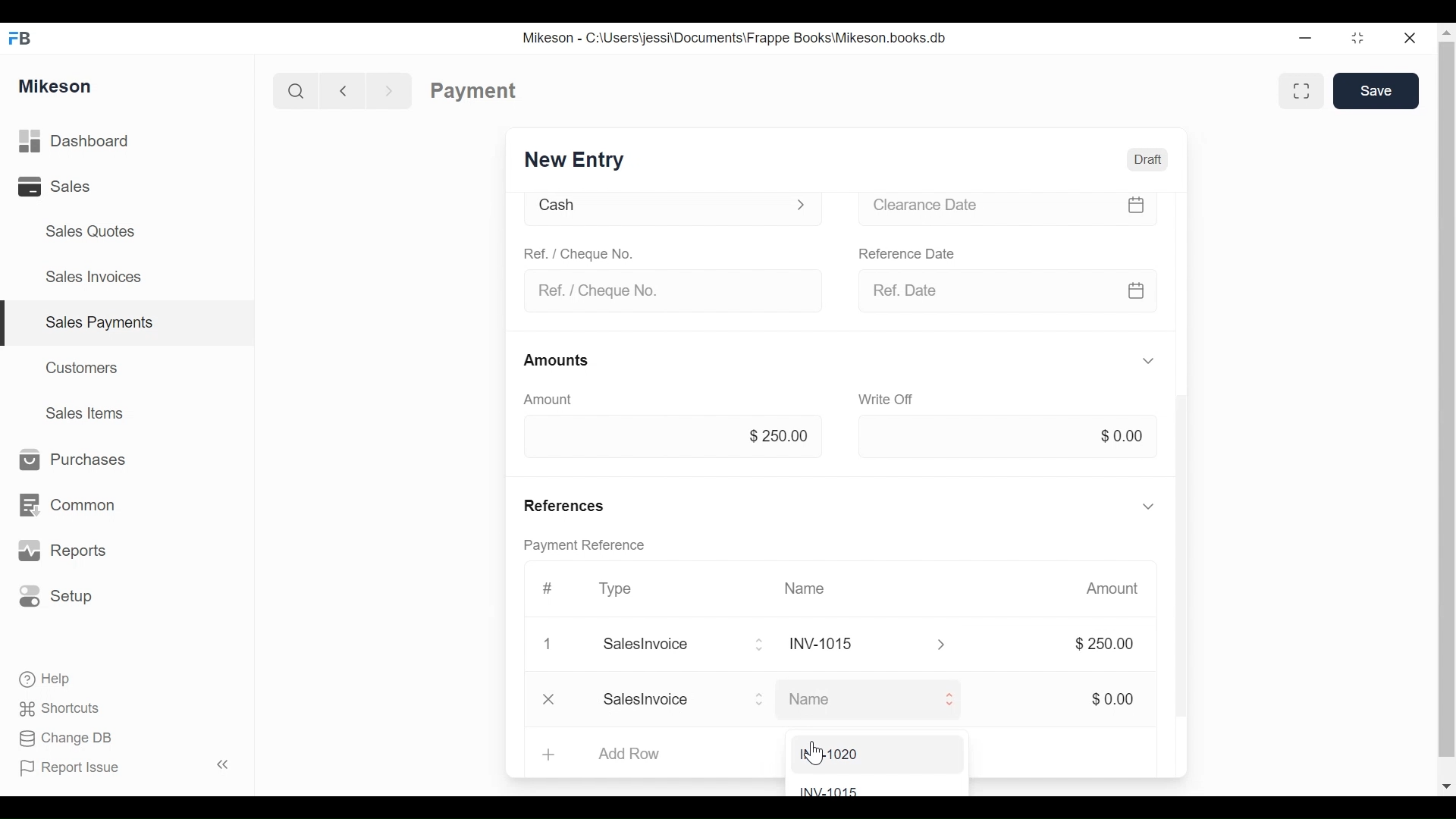 This screenshot has height=819, width=1456. What do you see at coordinates (786, 438) in the screenshot?
I see `$250.00` at bounding box center [786, 438].